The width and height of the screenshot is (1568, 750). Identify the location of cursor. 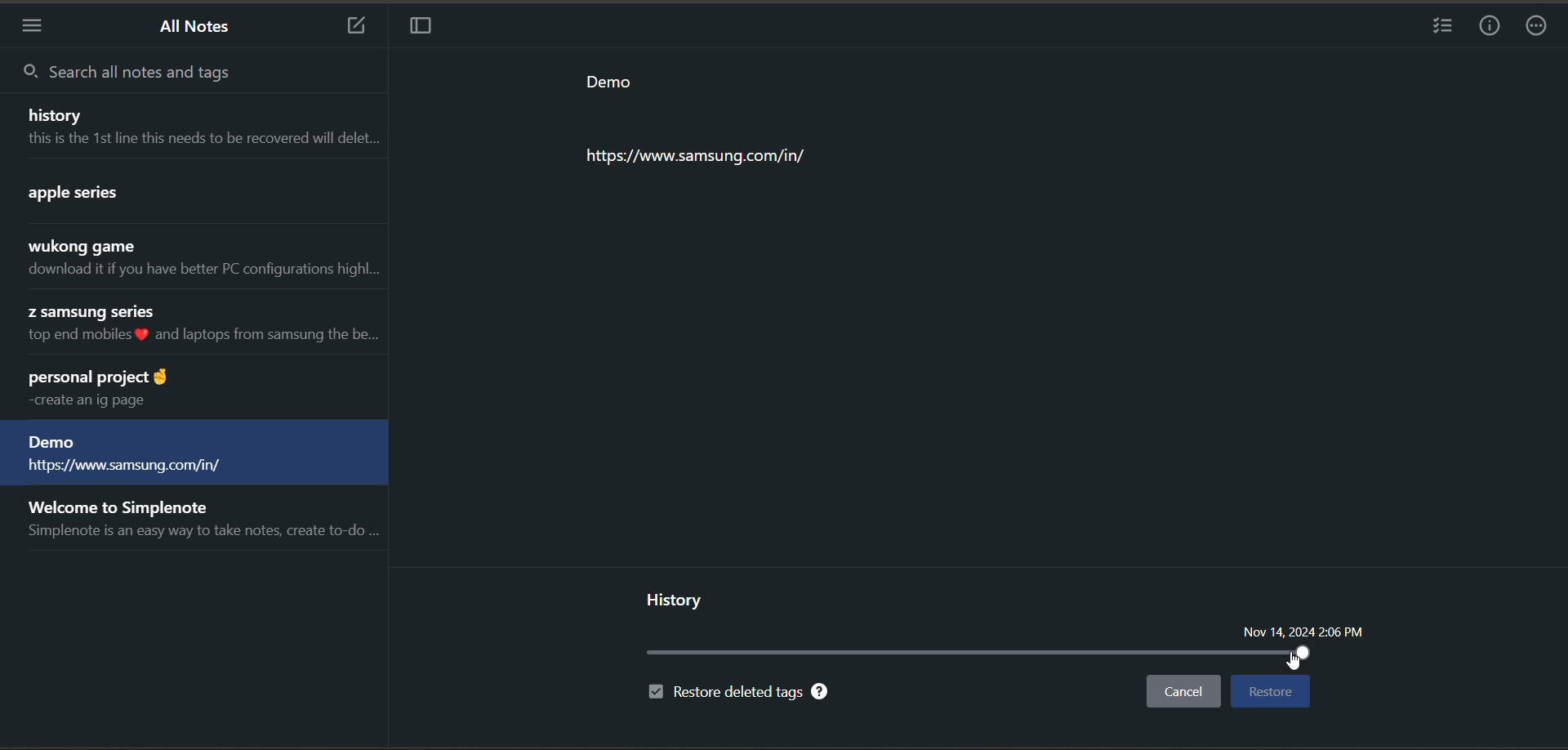
(1299, 663).